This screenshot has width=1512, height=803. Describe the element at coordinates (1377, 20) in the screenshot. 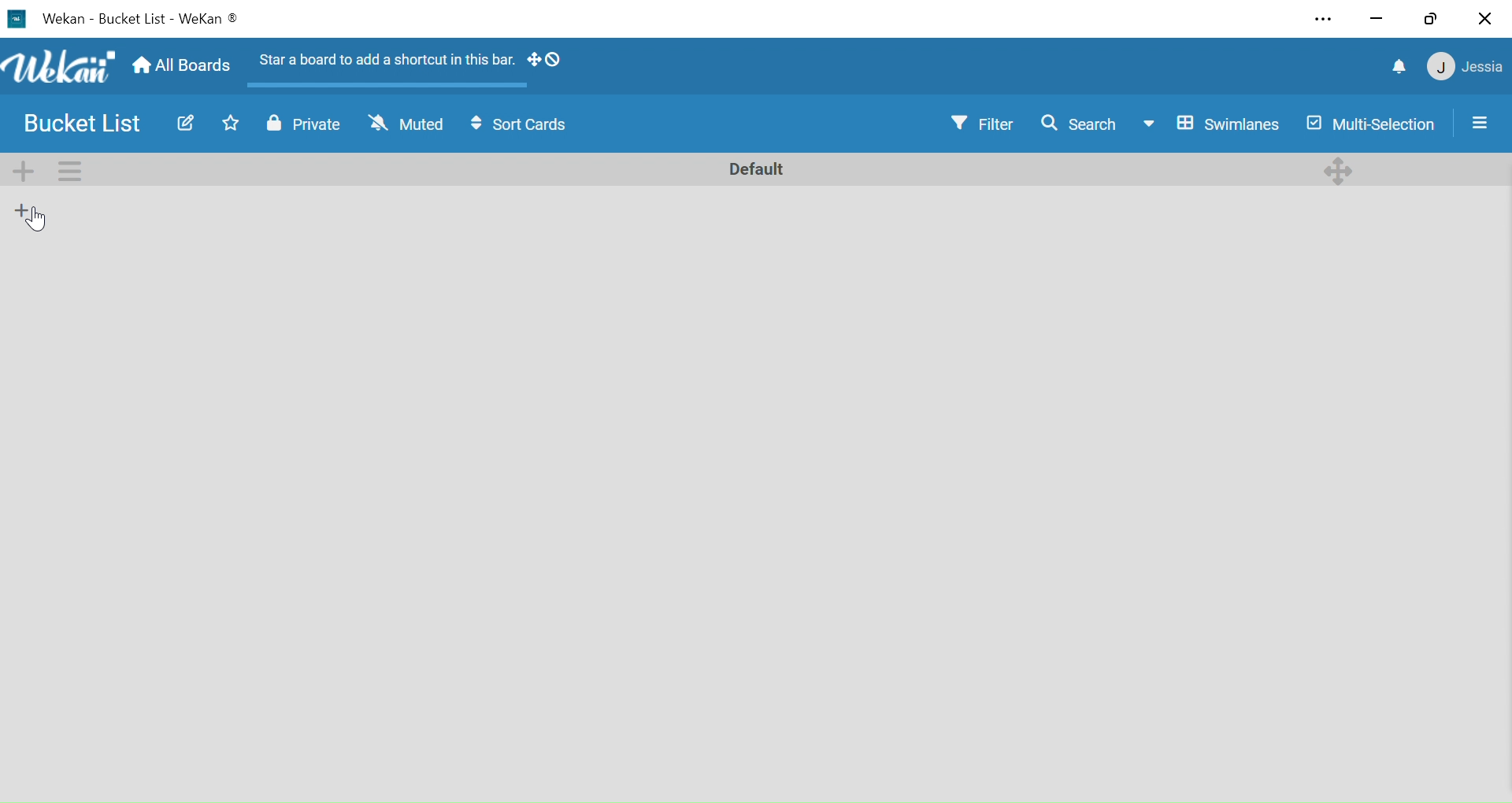

I see `minimize` at that location.